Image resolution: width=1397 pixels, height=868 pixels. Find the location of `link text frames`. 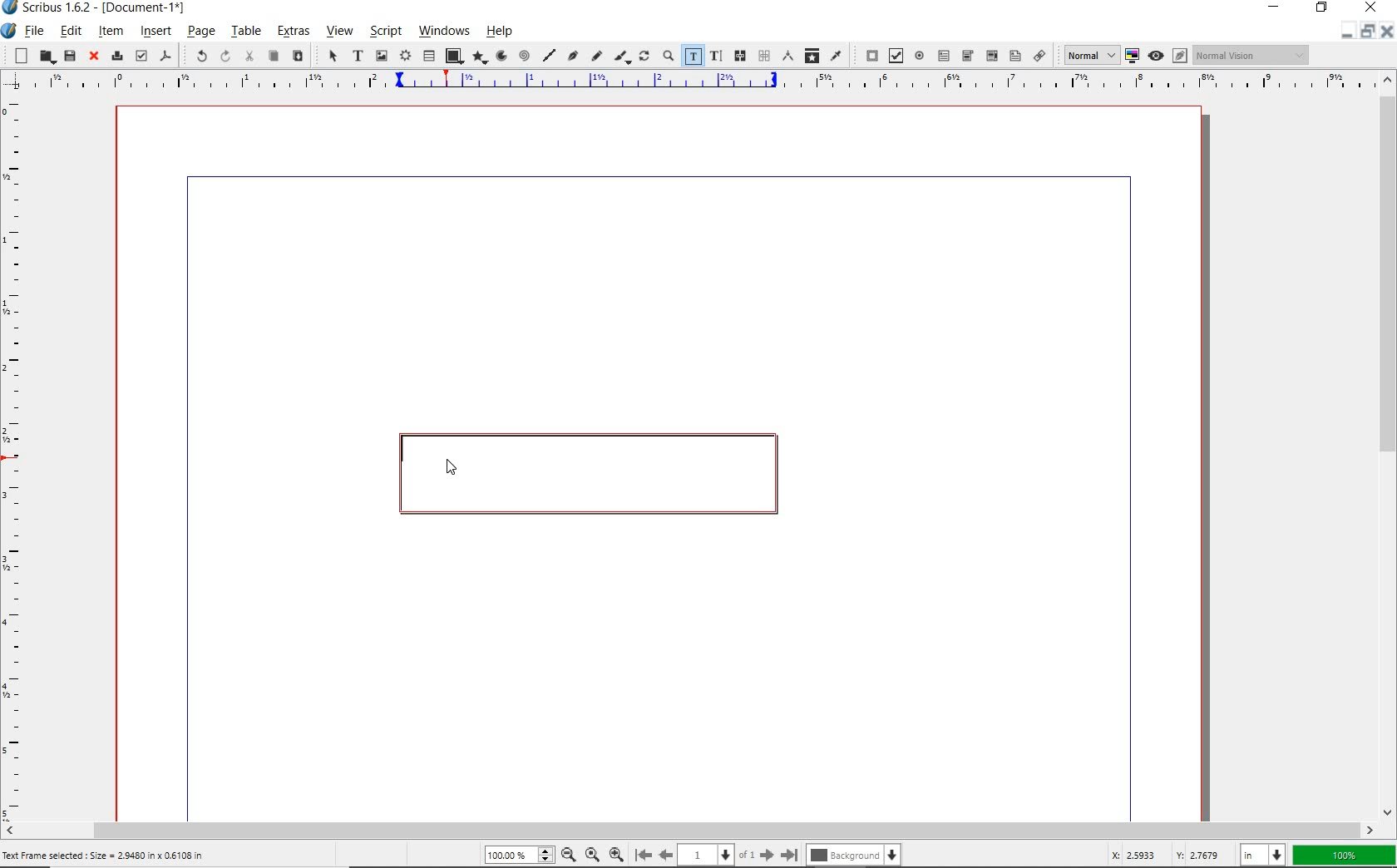

link text frames is located at coordinates (738, 56).